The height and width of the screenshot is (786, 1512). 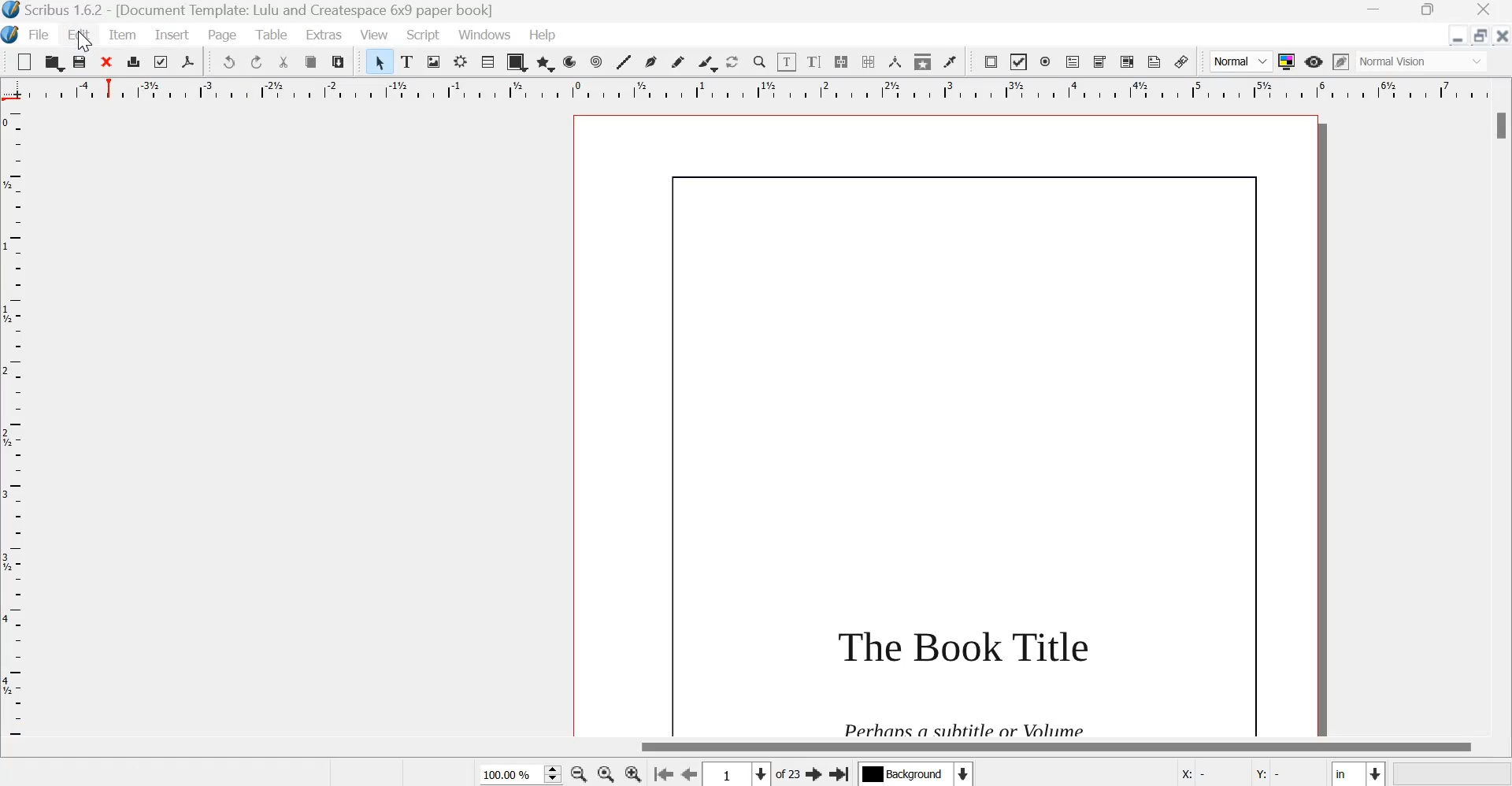 What do you see at coordinates (1195, 773) in the screenshot?
I see `X:` at bounding box center [1195, 773].